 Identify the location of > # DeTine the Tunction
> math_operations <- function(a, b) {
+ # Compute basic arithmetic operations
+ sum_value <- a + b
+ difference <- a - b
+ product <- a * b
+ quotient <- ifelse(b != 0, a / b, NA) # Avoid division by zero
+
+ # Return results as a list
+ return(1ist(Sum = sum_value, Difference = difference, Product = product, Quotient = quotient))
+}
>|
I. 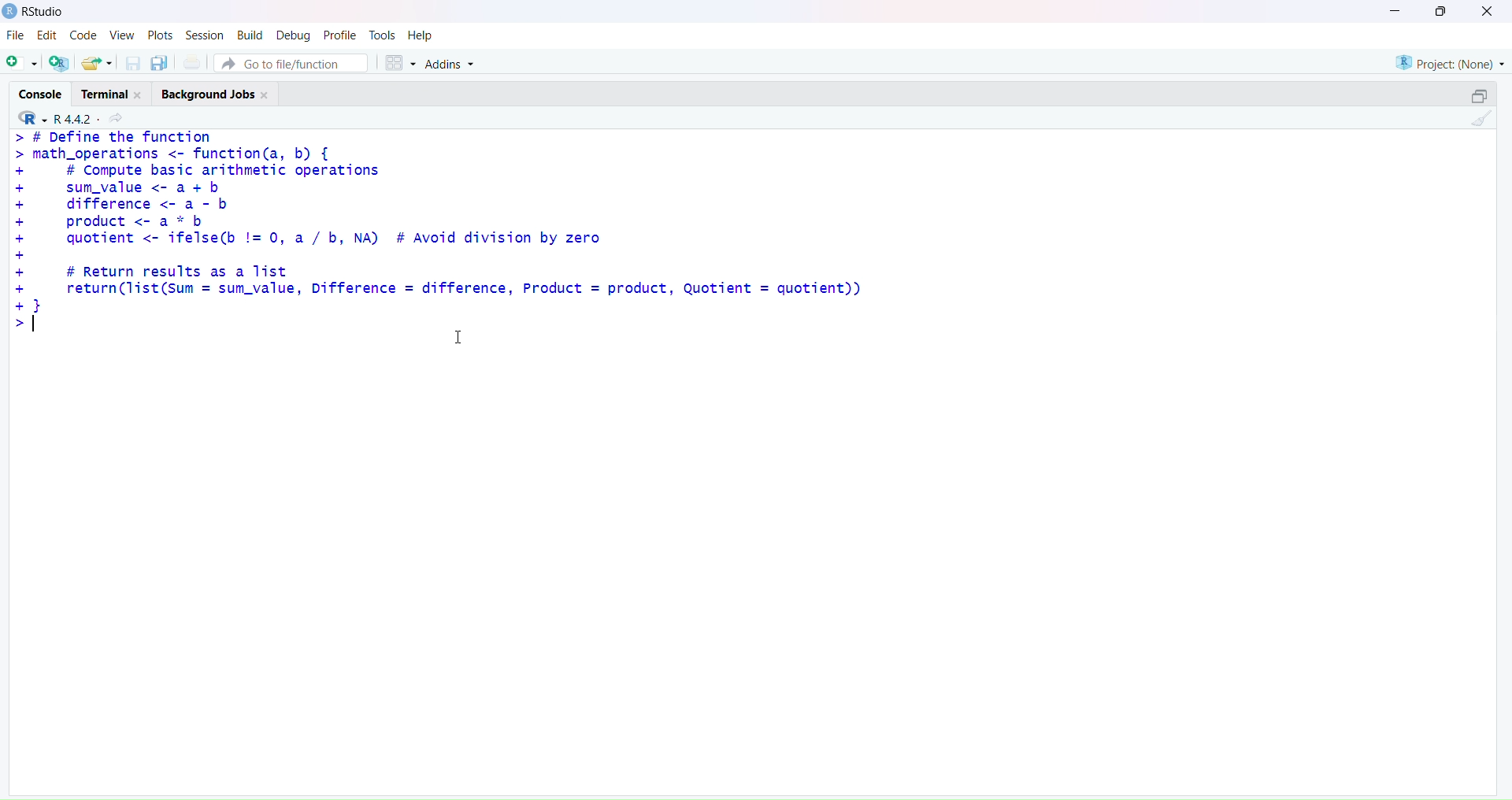
(447, 243).